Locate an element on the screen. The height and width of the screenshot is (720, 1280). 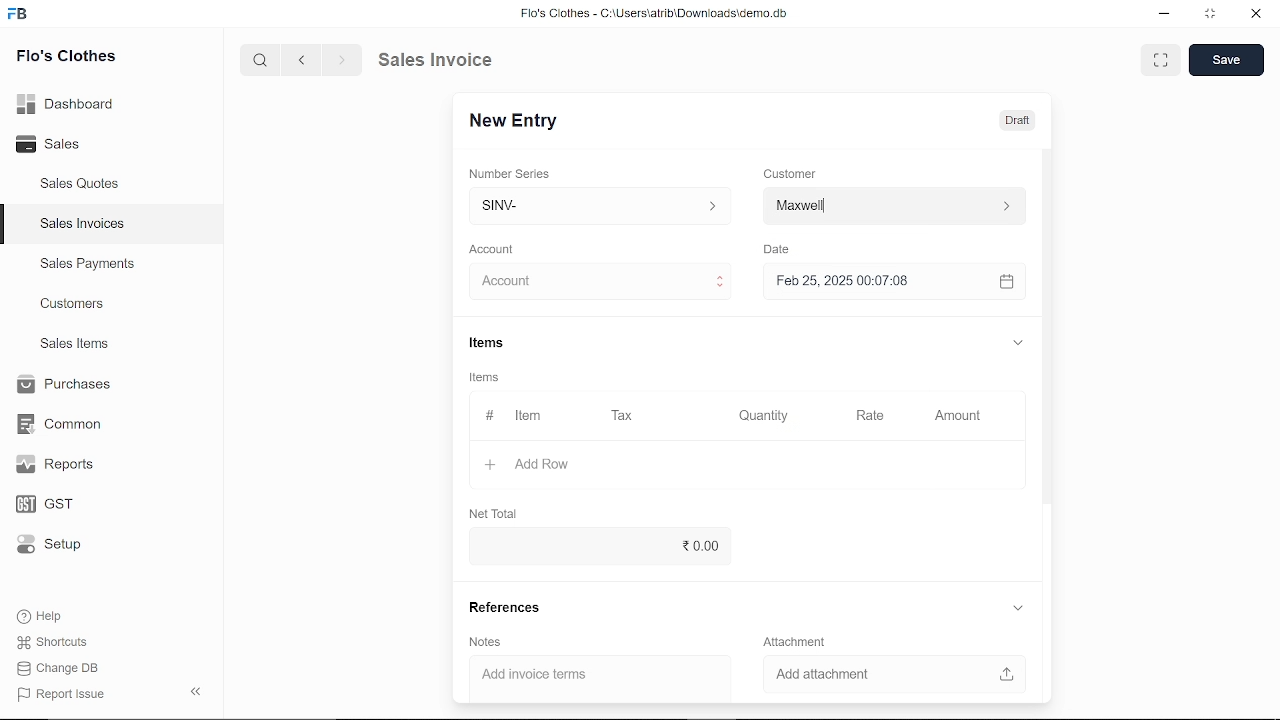
GST is located at coordinates (55, 501).